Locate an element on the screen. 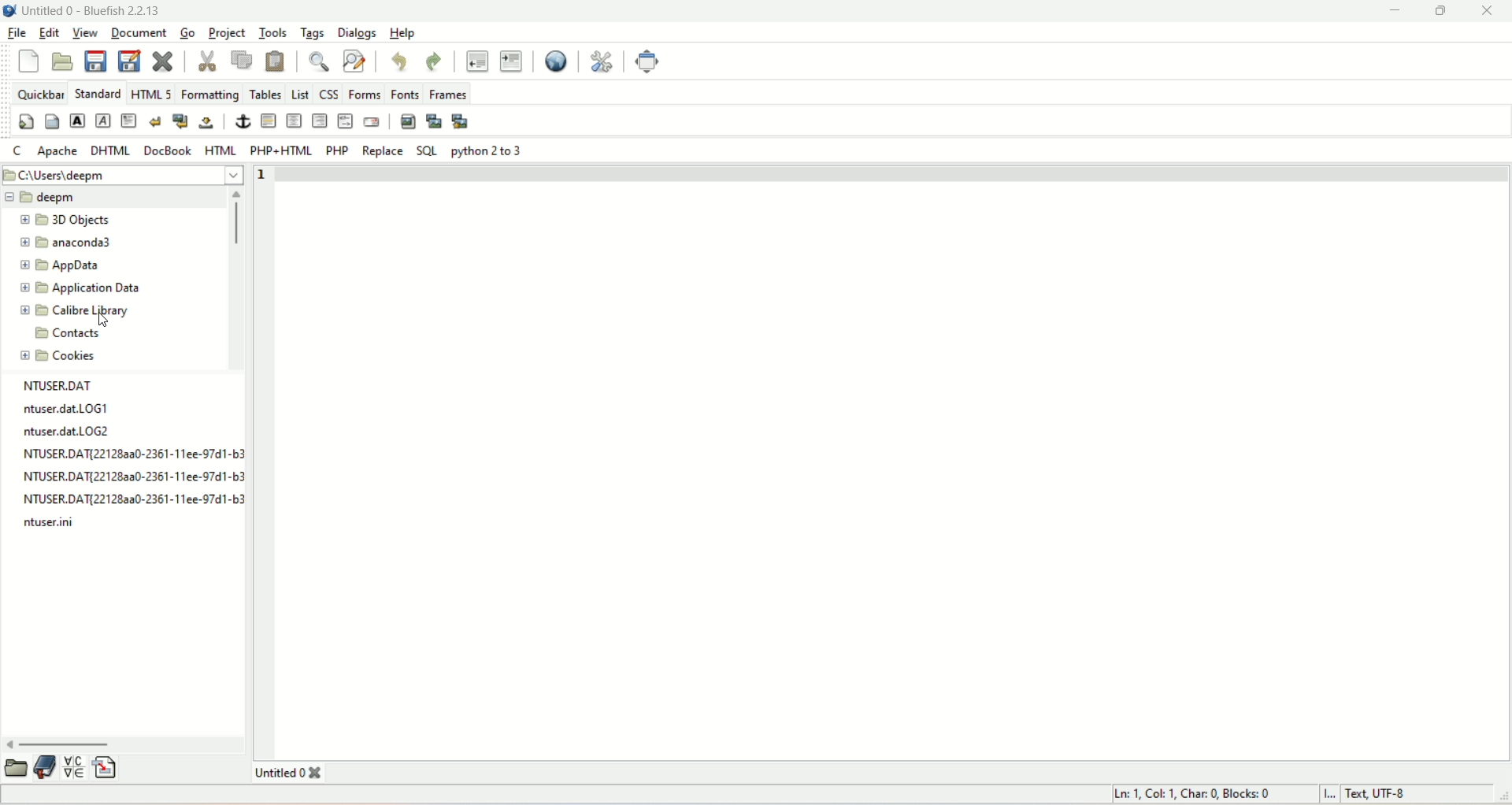 The height and width of the screenshot is (805, 1512). cookies is located at coordinates (62, 356).